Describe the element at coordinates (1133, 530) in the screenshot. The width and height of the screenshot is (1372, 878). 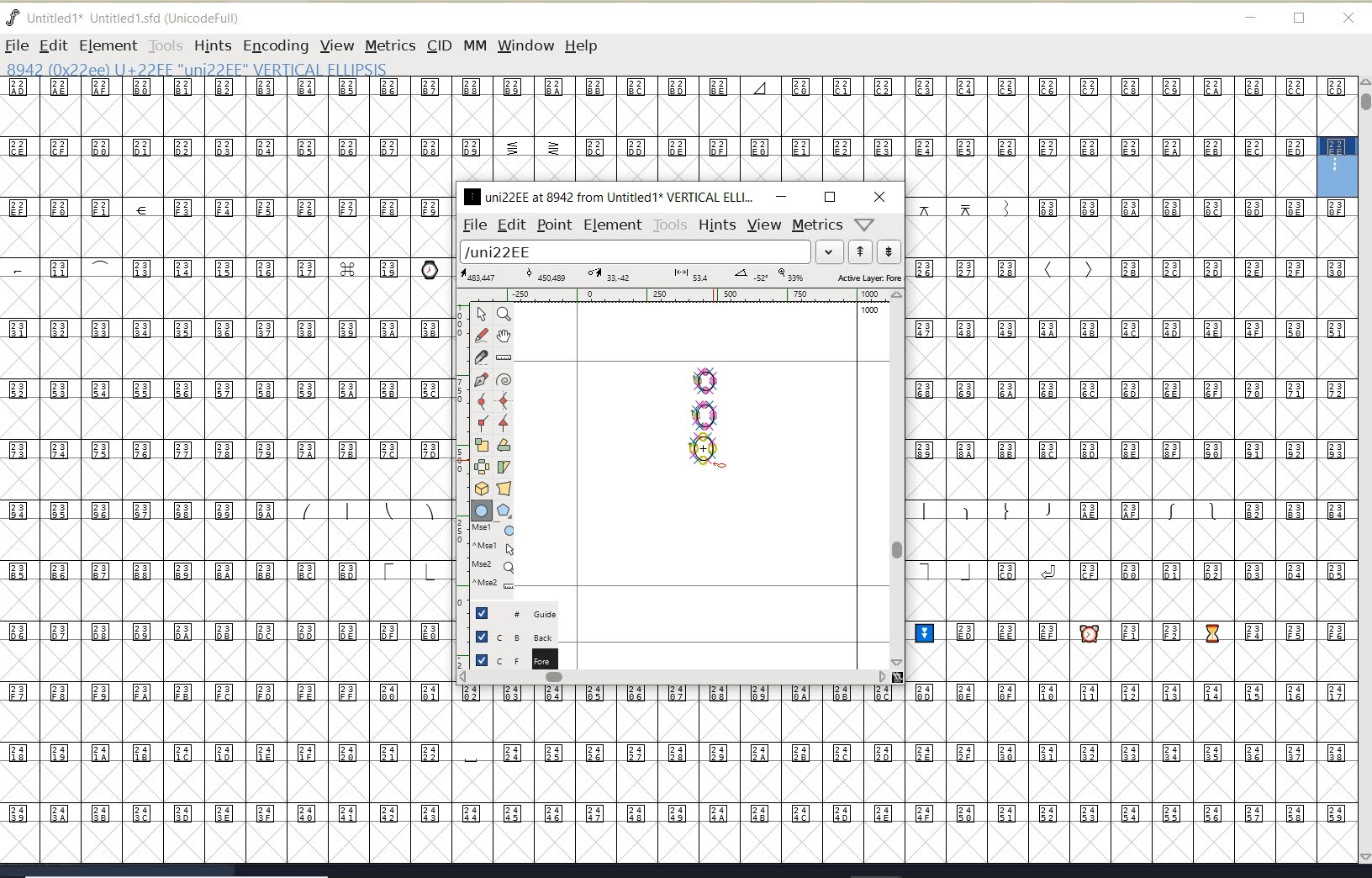
I see `GLYPHY CHARACTERS & NUMBERS` at that location.